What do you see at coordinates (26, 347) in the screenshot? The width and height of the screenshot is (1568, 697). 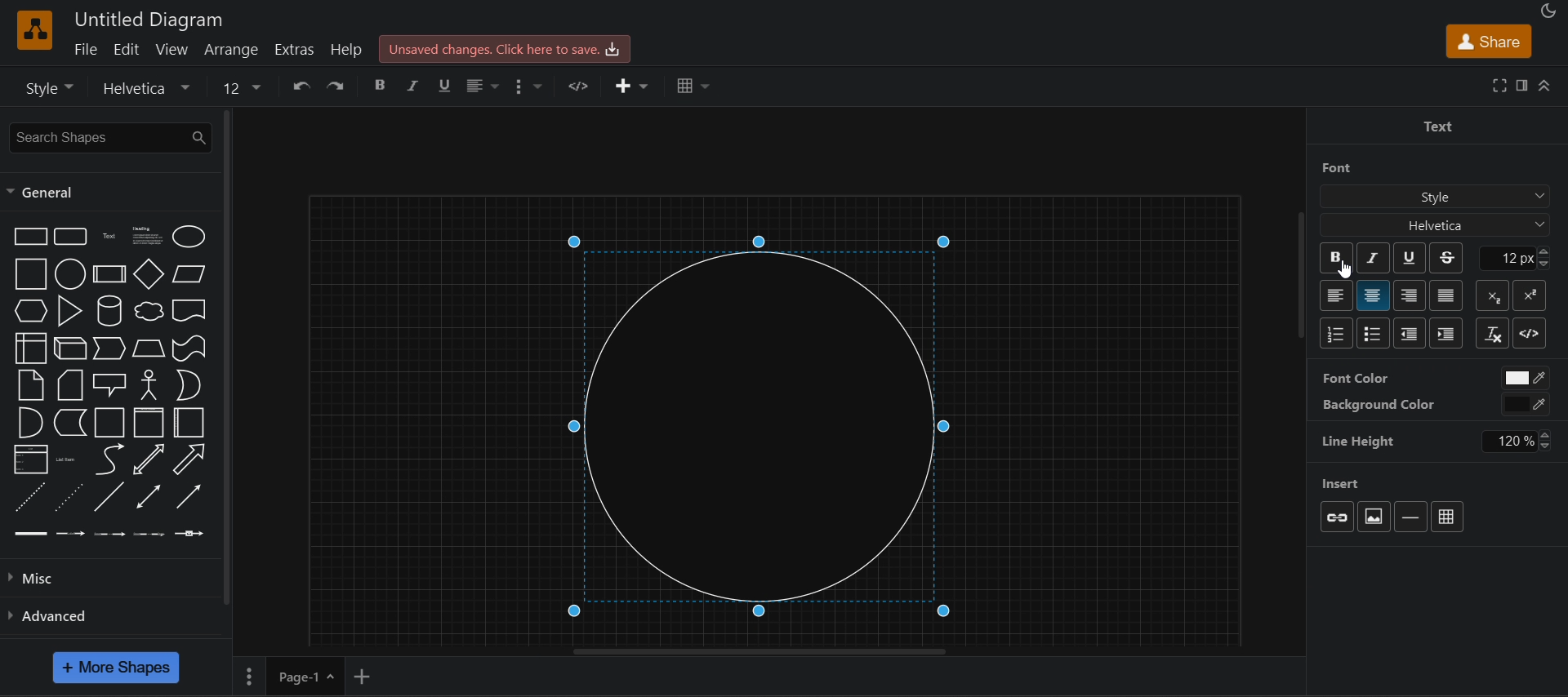 I see `internal storage` at bounding box center [26, 347].